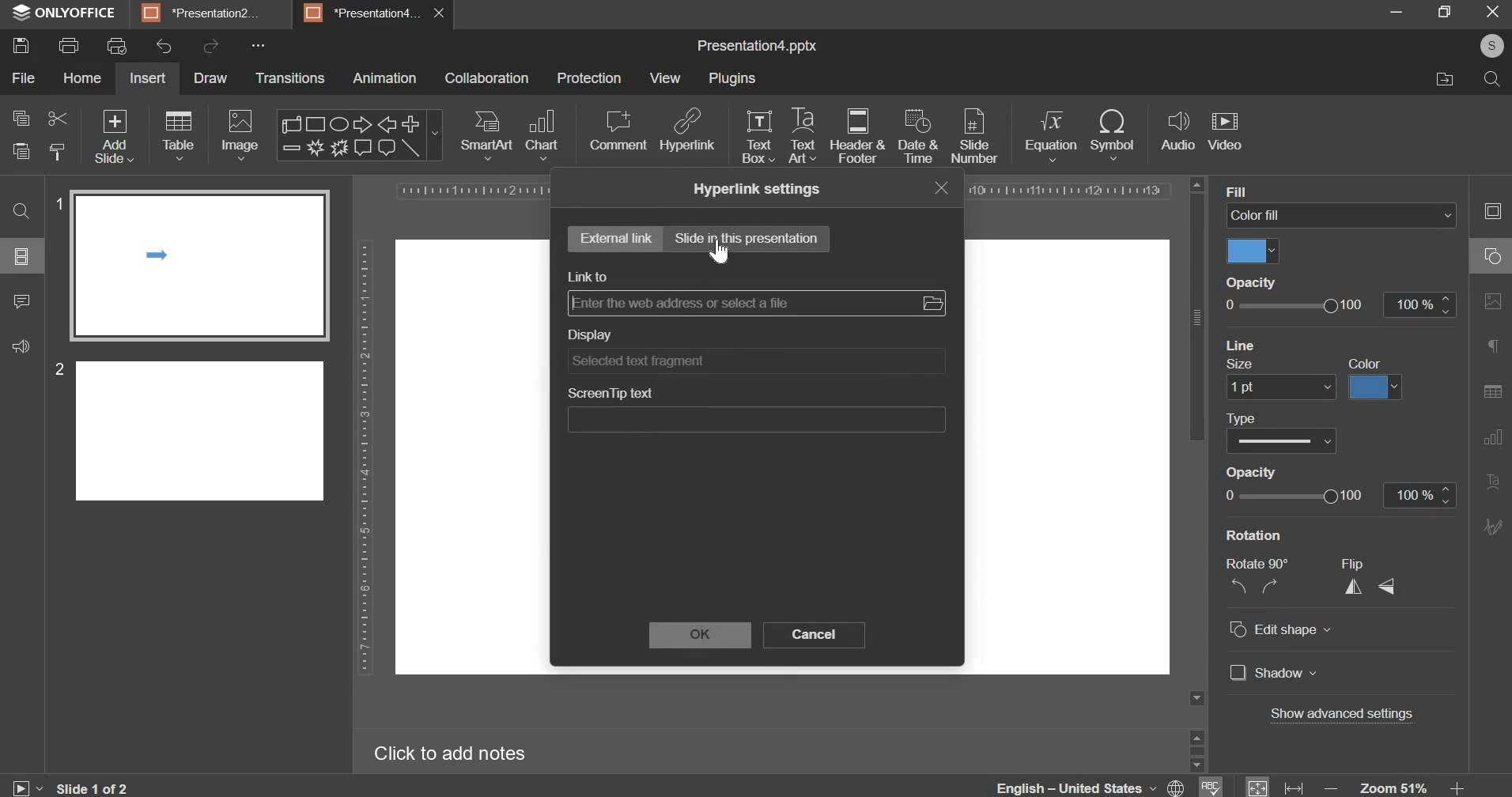  Describe the element at coordinates (1383, 387) in the screenshot. I see `` at that location.